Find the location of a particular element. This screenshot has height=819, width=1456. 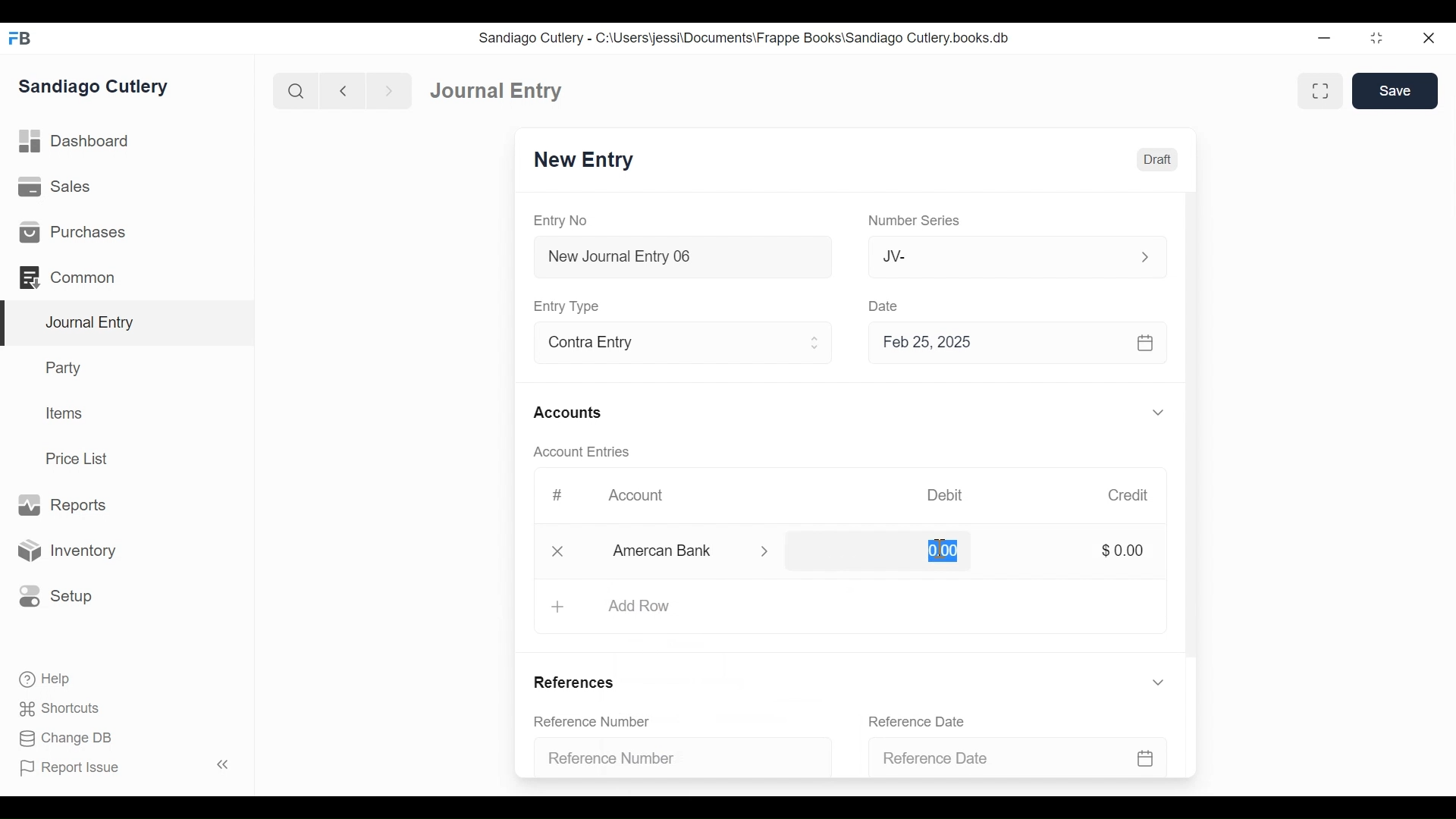

Expand is located at coordinates (1145, 257).